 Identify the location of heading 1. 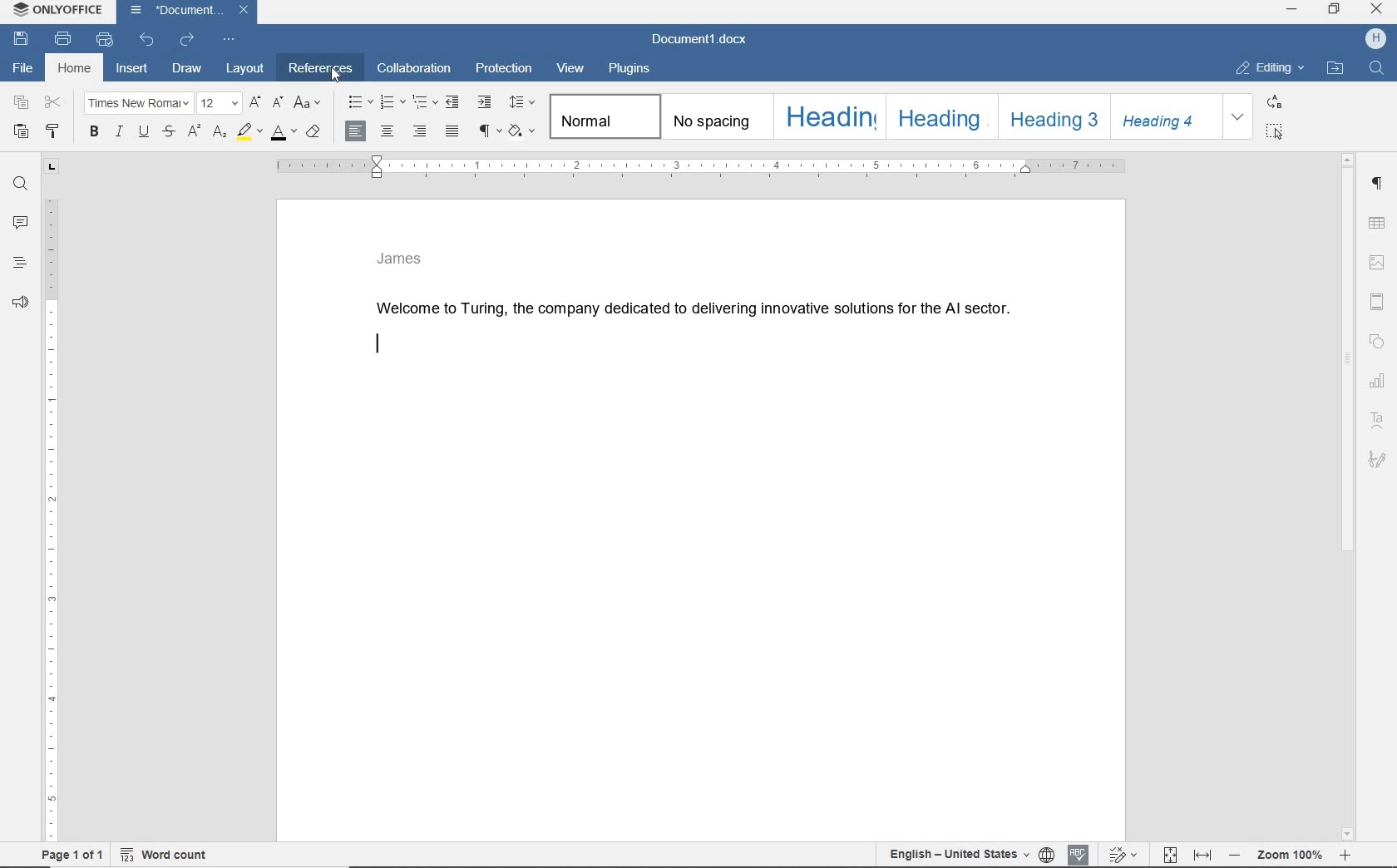
(830, 118).